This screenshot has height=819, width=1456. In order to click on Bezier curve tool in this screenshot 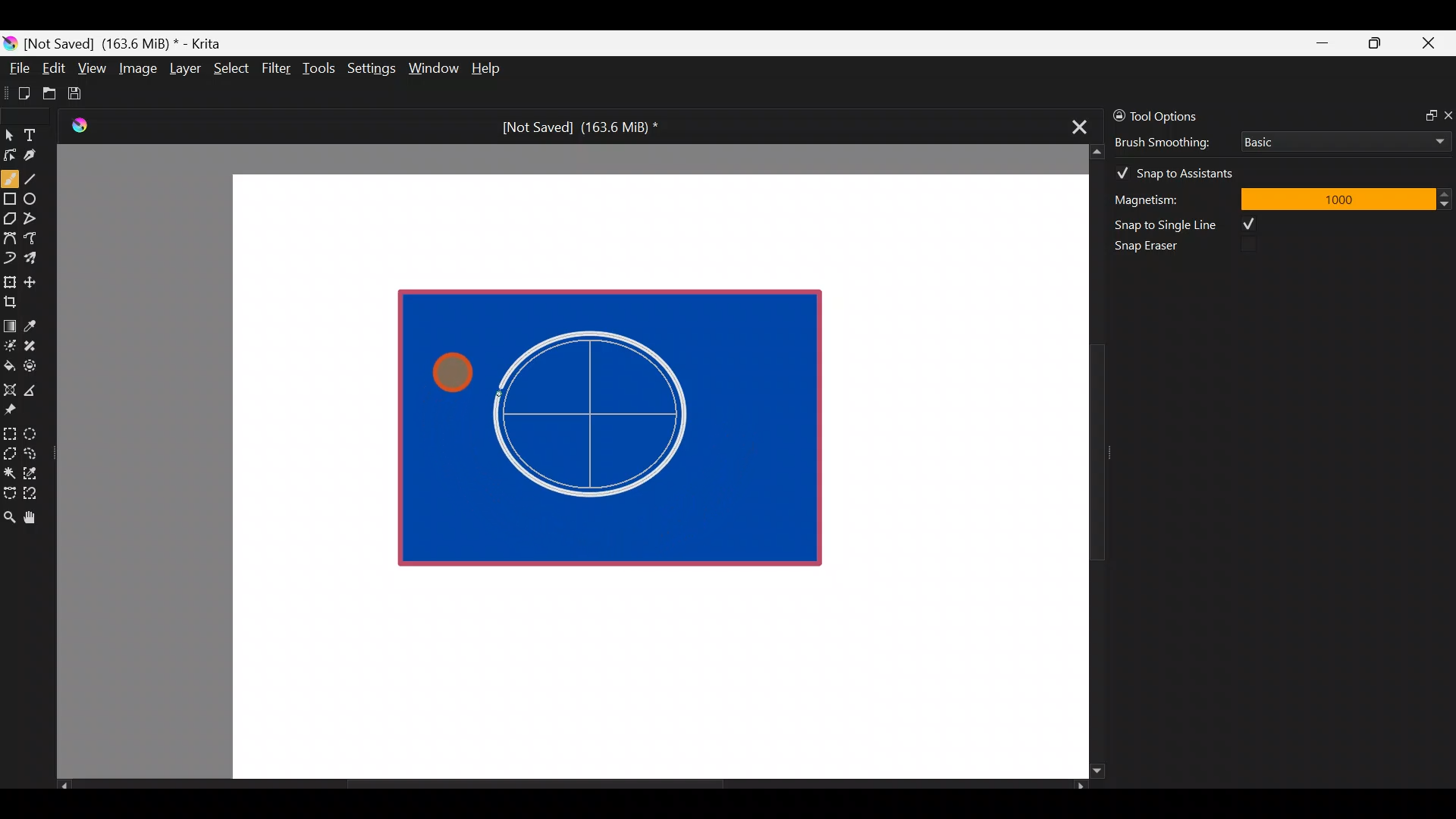, I will do `click(9, 240)`.